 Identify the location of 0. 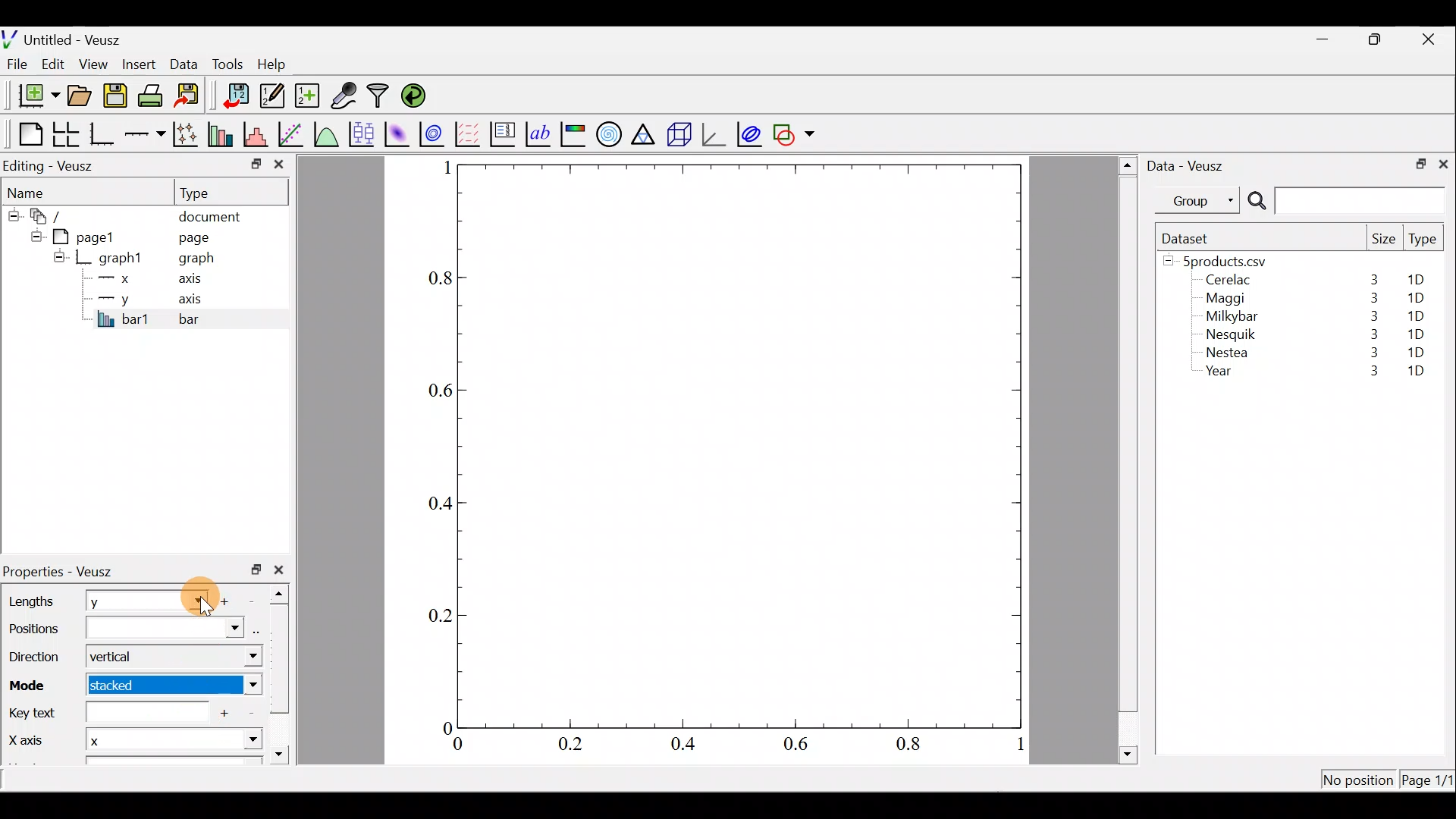
(445, 727).